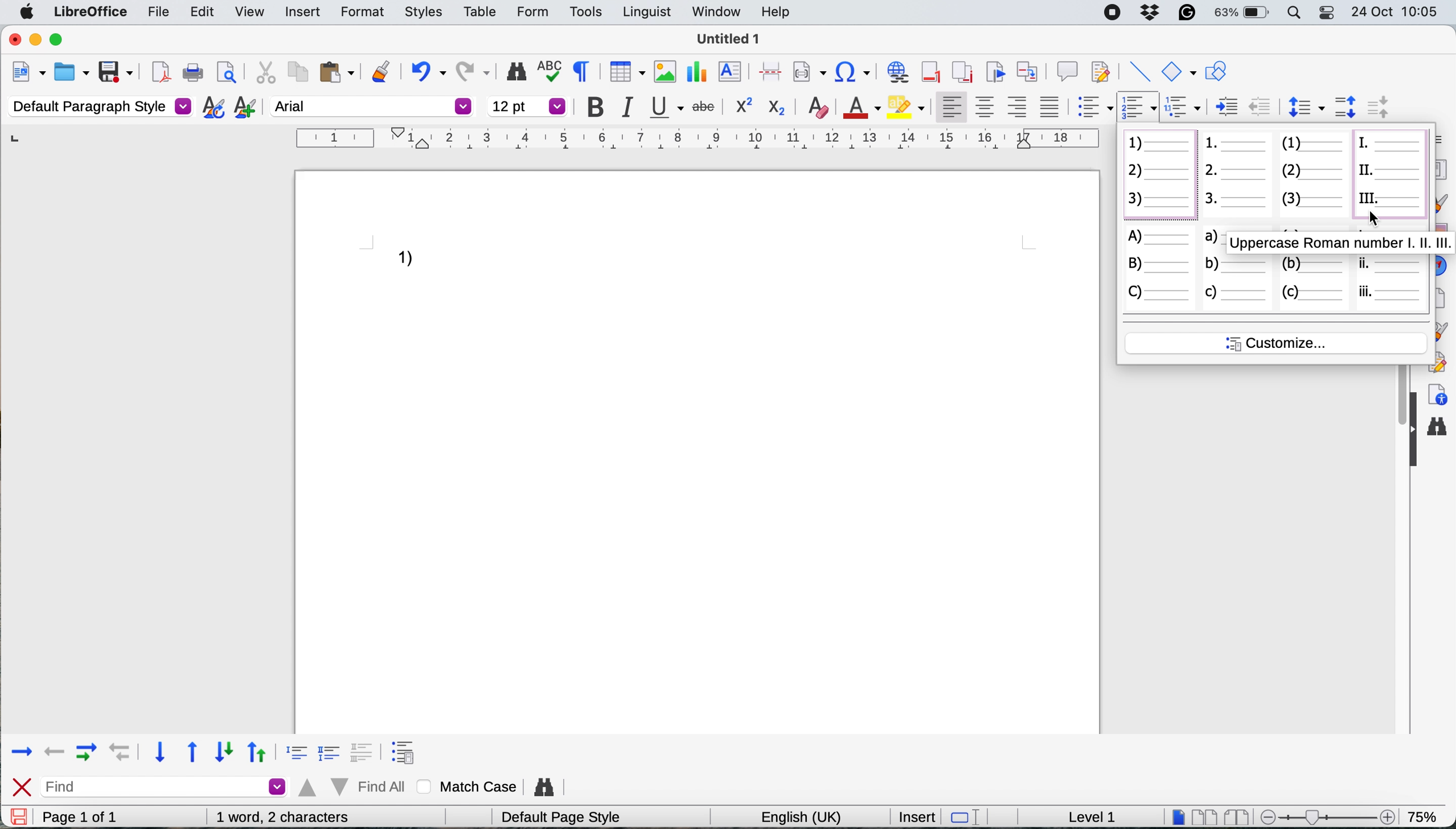 The width and height of the screenshot is (1456, 829). Describe the element at coordinates (354, 787) in the screenshot. I see `find all` at that location.